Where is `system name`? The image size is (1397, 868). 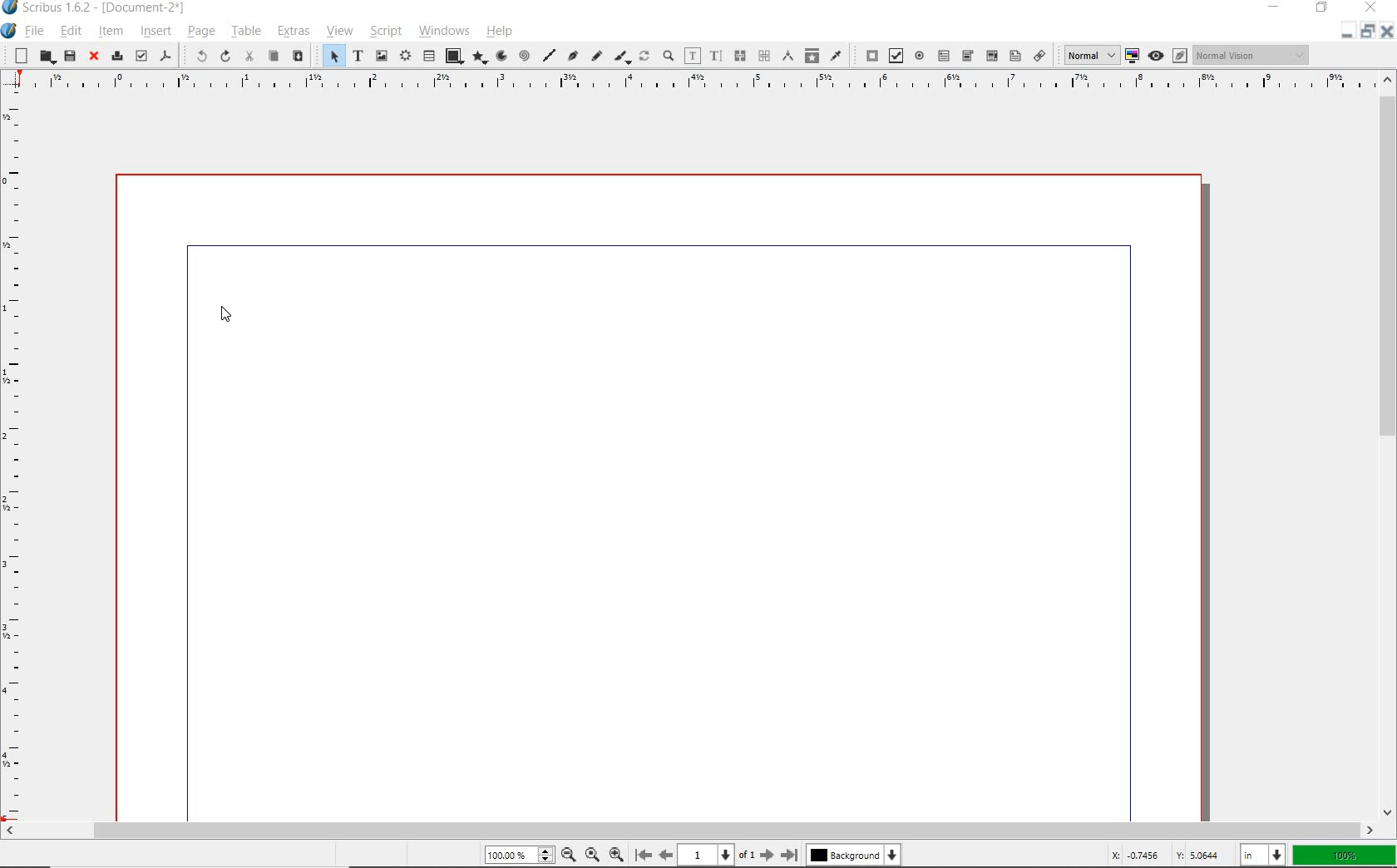 system name is located at coordinates (96, 7).